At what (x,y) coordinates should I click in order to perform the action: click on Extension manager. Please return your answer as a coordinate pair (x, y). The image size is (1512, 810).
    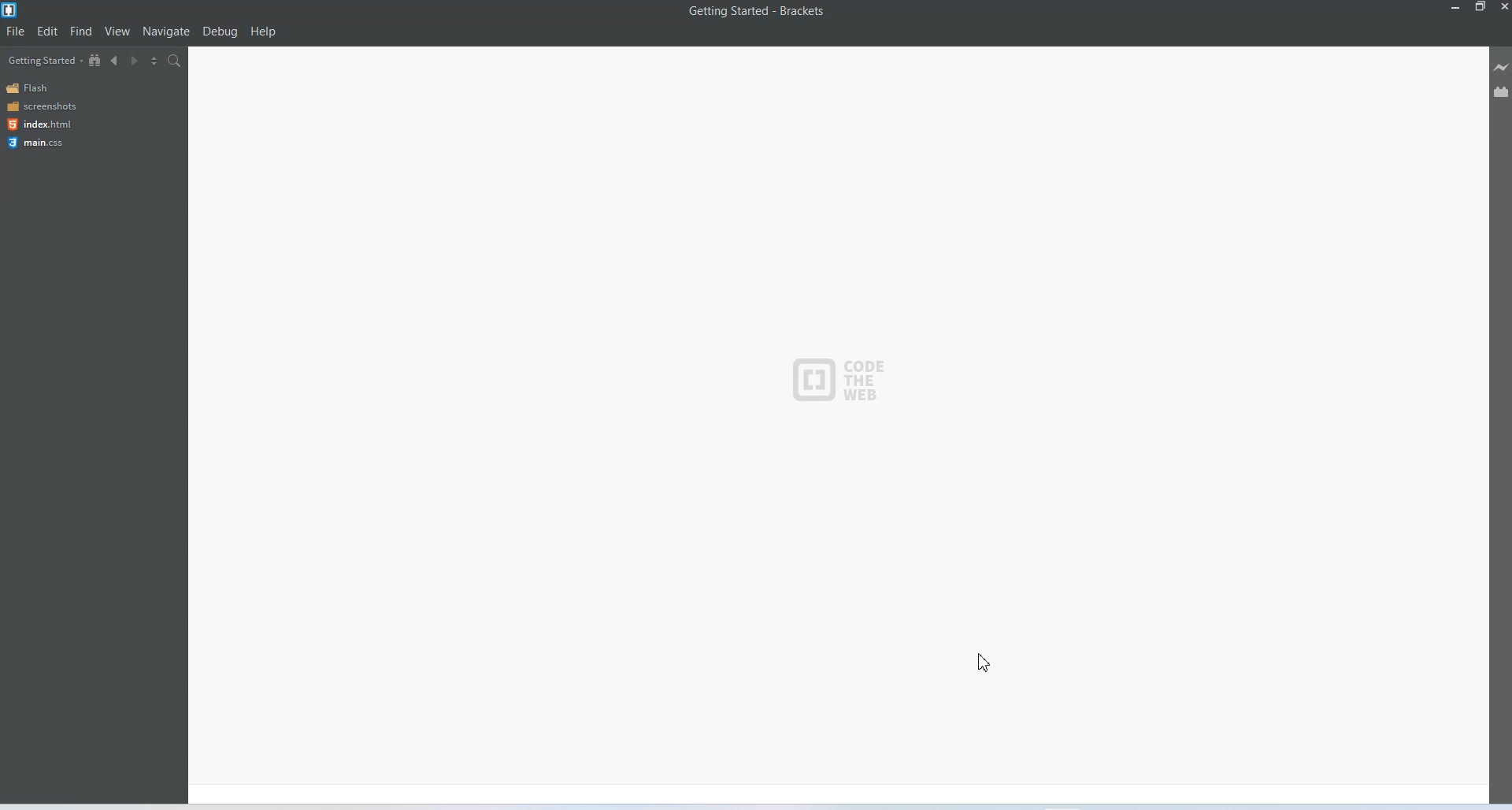
    Looking at the image, I should click on (1501, 91).